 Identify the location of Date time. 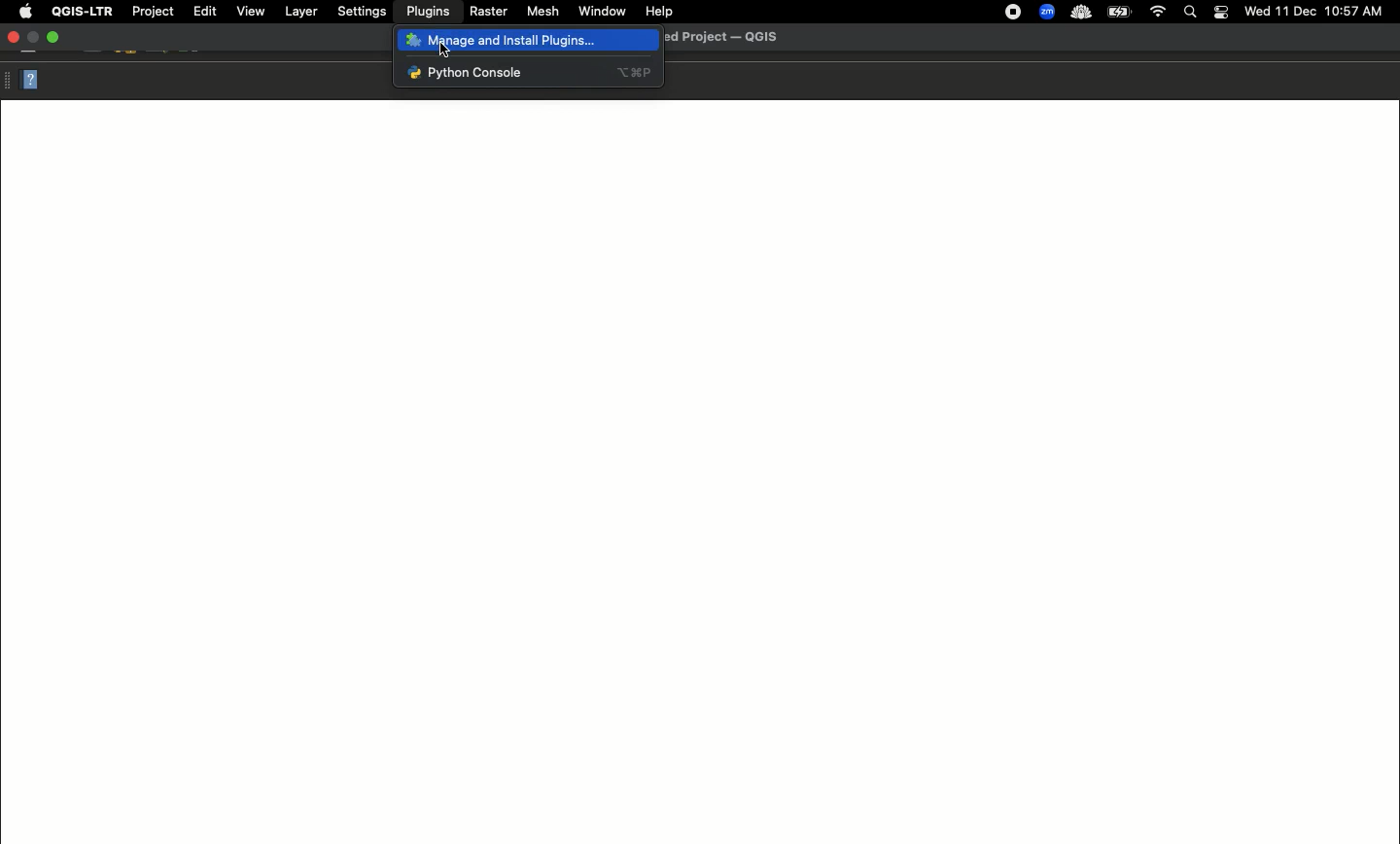
(1315, 11).